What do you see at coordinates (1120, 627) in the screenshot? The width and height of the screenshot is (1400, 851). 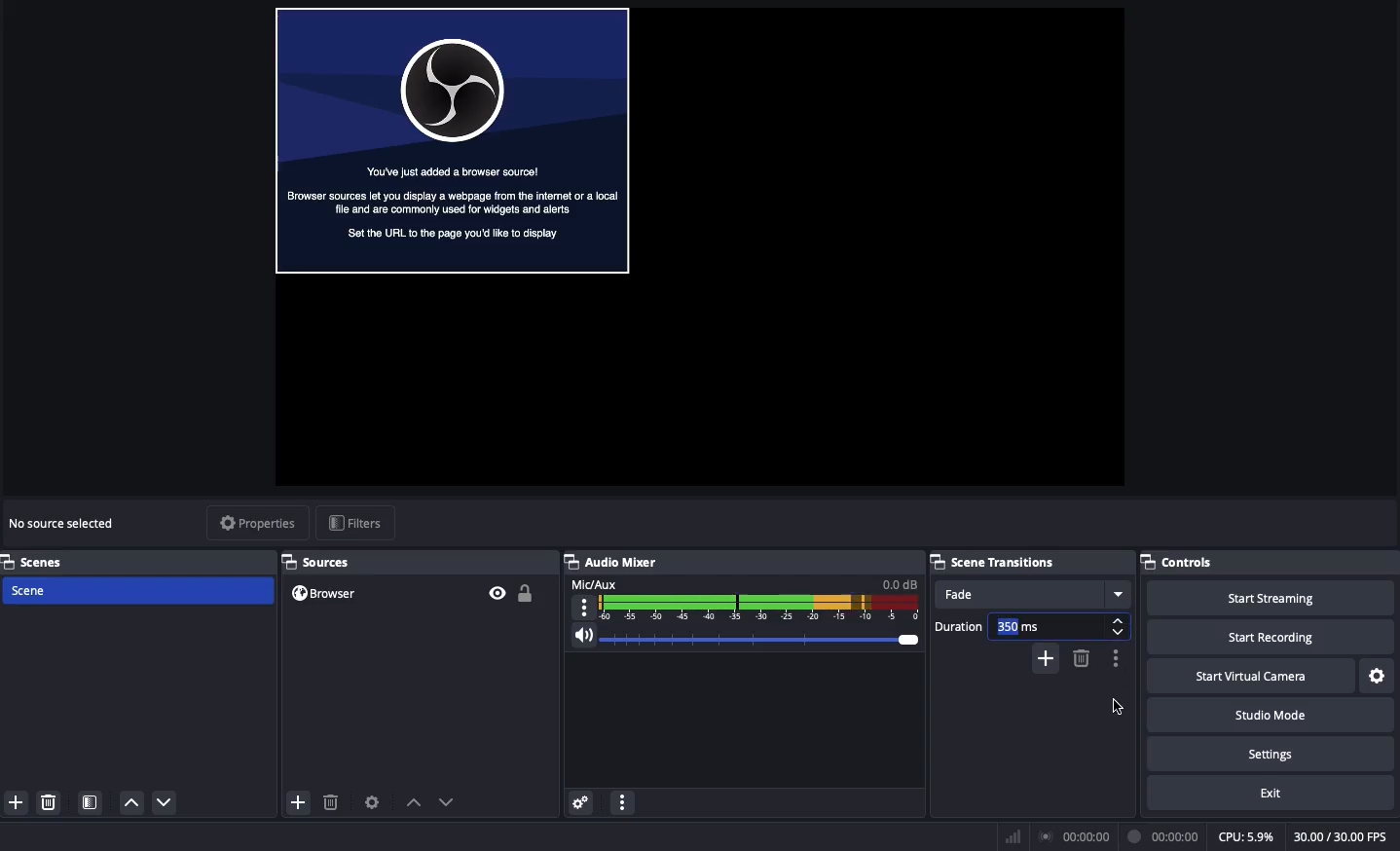 I see `Increase decrease ` at bounding box center [1120, 627].